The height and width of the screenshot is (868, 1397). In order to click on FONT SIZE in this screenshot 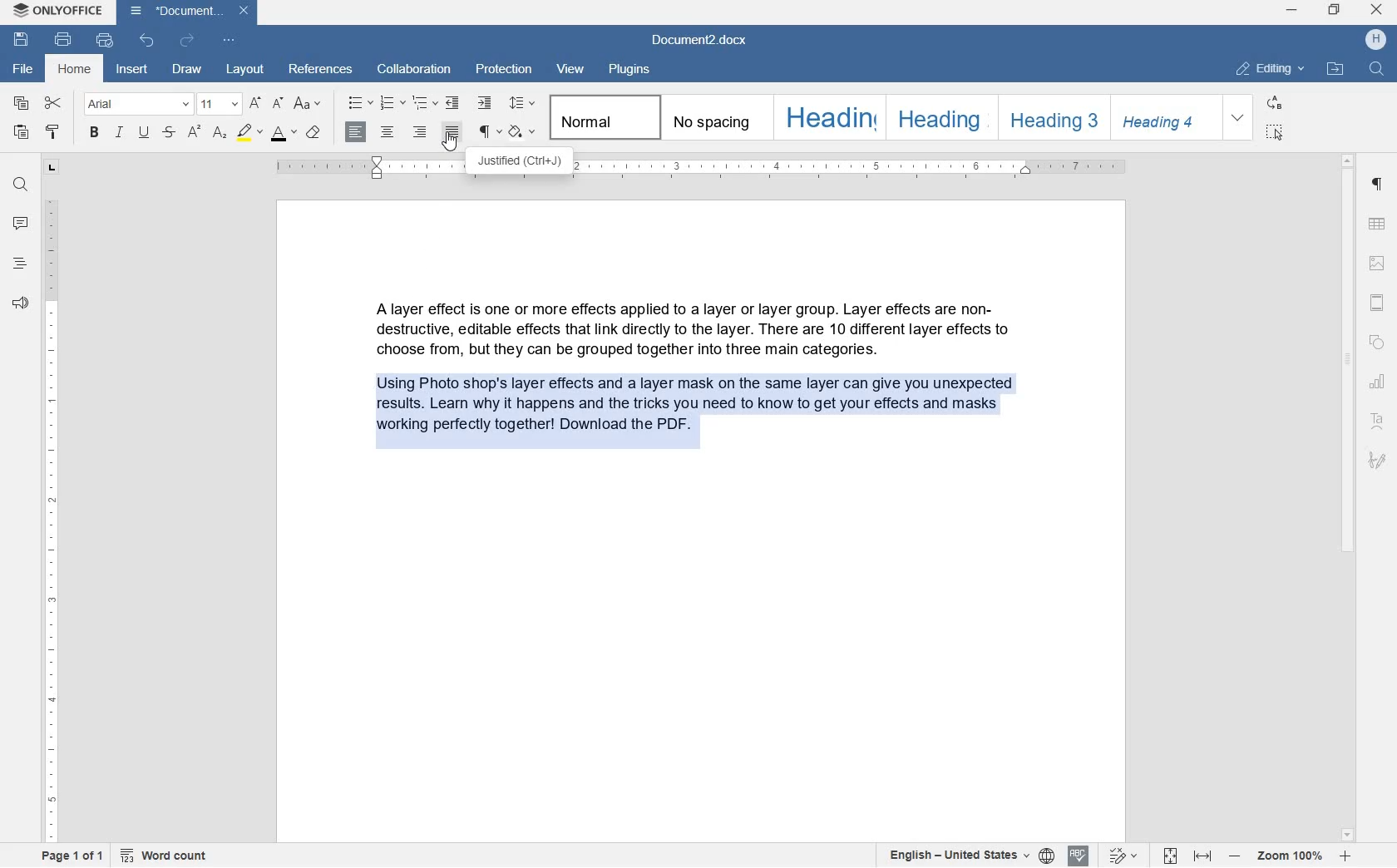, I will do `click(285, 135)`.